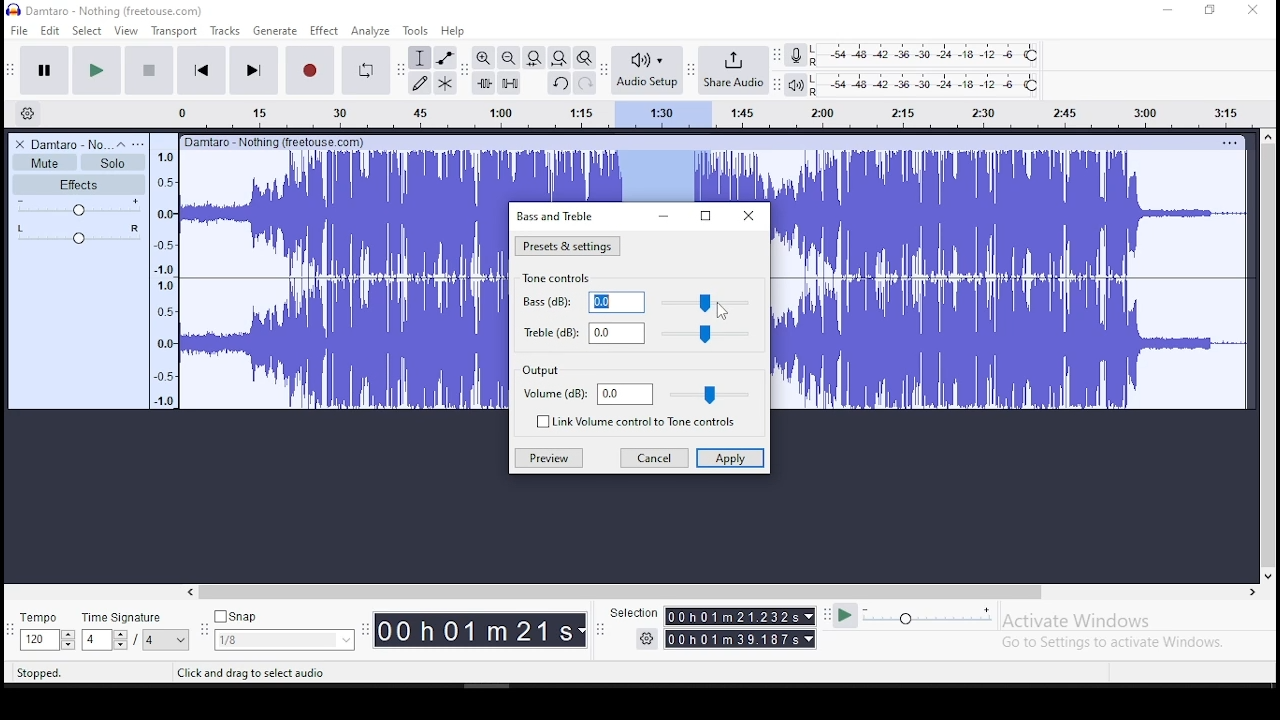 This screenshot has width=1280, height=720. Describe the element at coordinates (174, 31) in the screenshot. I see `transport` at that location.